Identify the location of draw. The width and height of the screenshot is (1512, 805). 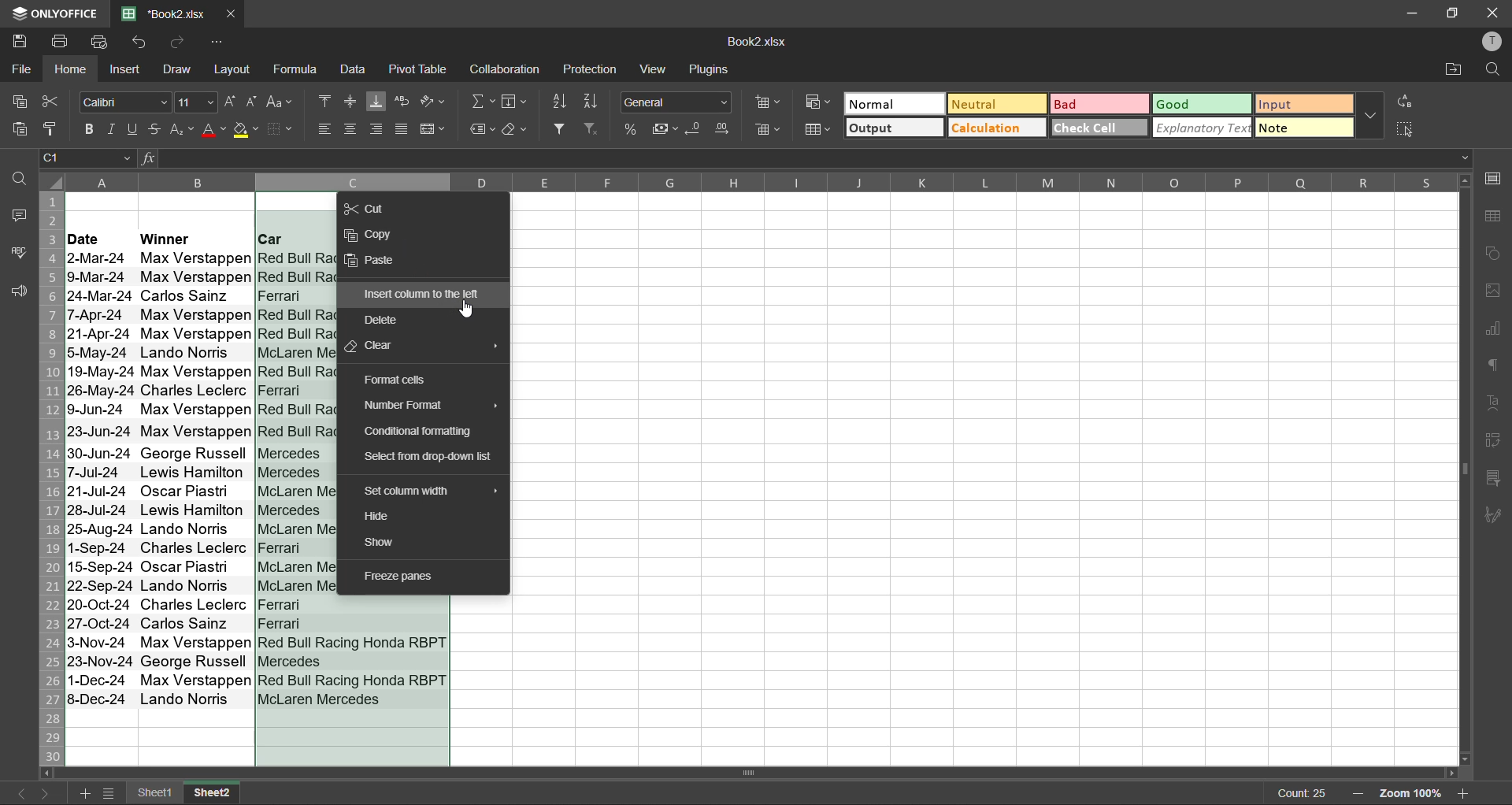
(183, 72).